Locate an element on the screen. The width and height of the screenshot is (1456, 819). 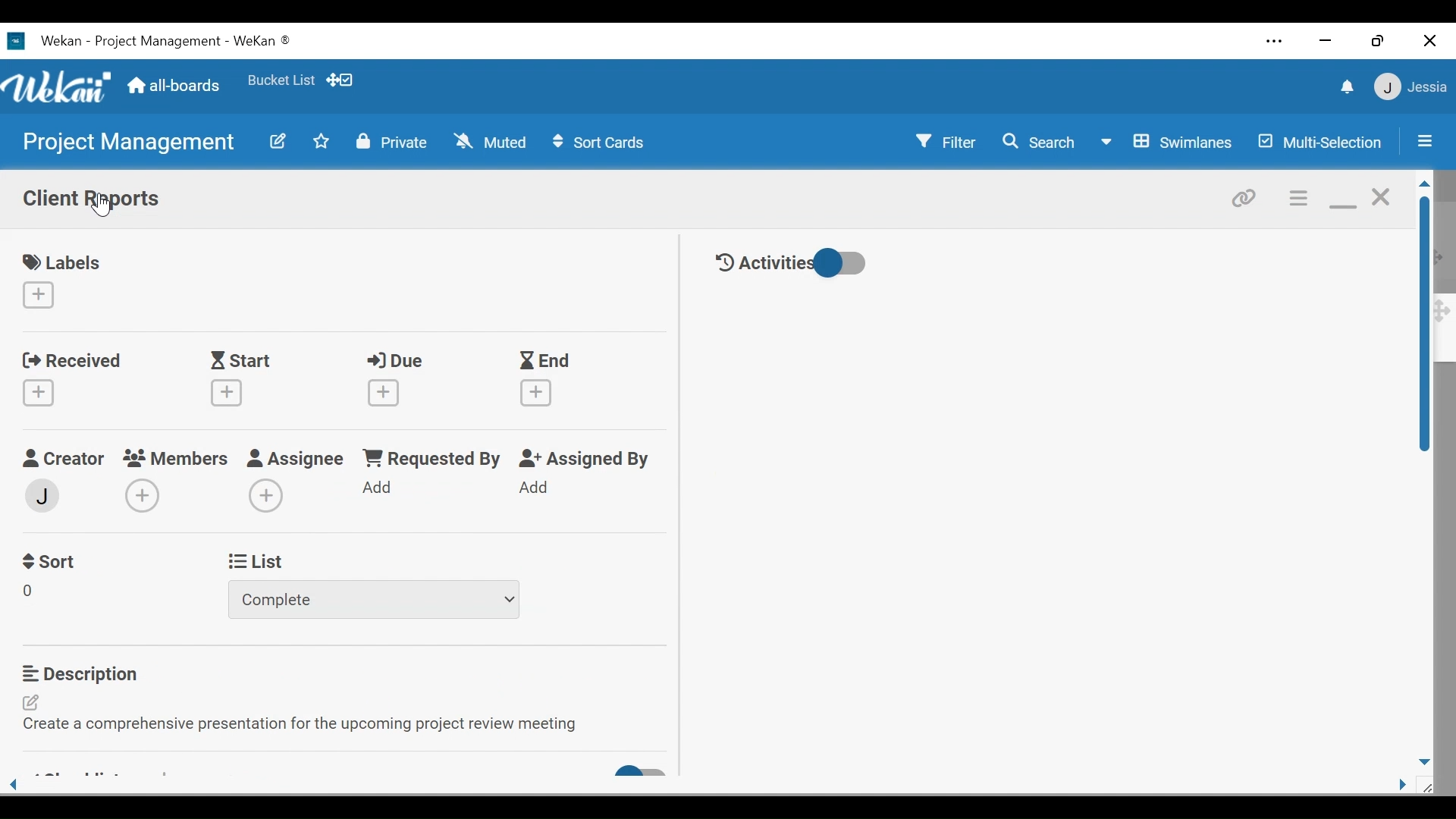
notification is located at coordinates (1349, 88).